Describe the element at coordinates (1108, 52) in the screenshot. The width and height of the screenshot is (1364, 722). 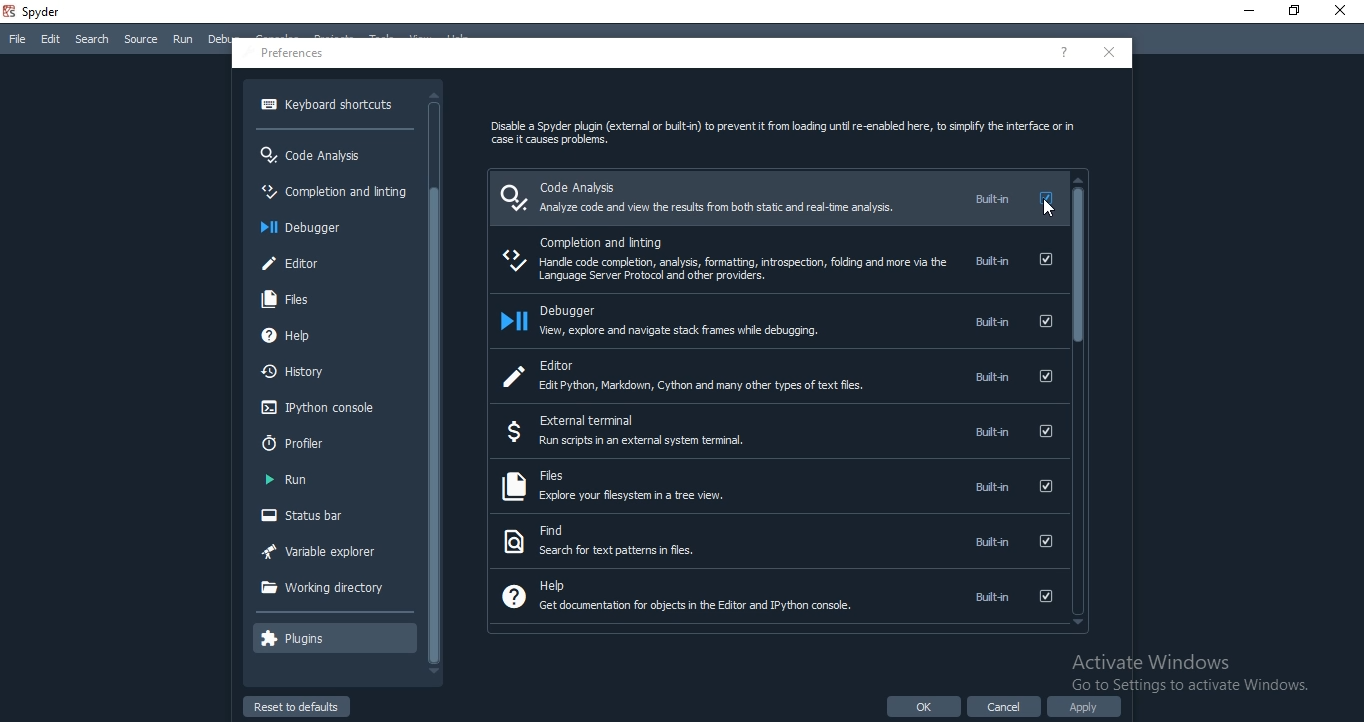
I see `close` at that location.